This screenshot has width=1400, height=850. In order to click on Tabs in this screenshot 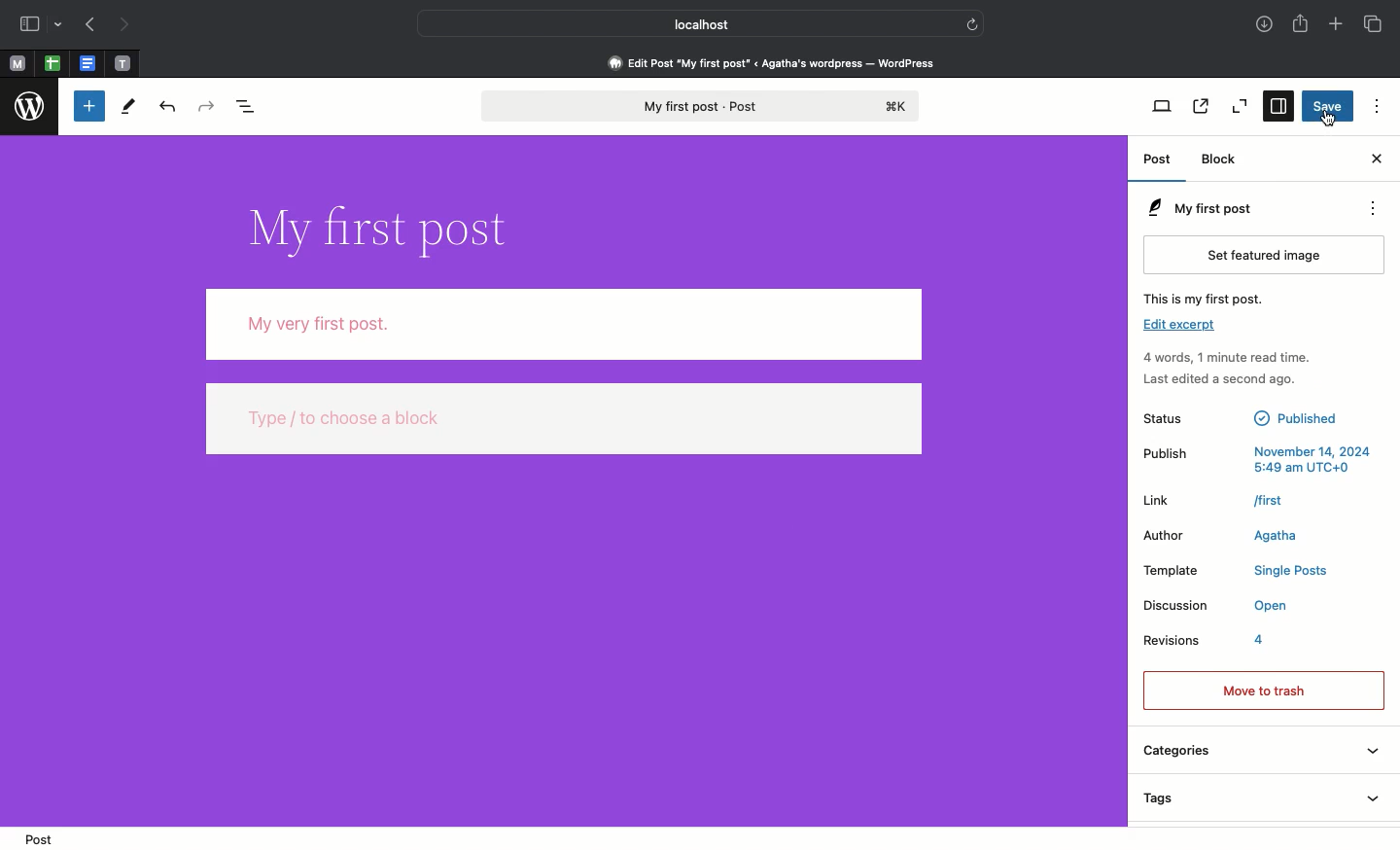, I will do `click(1372, 23)`.